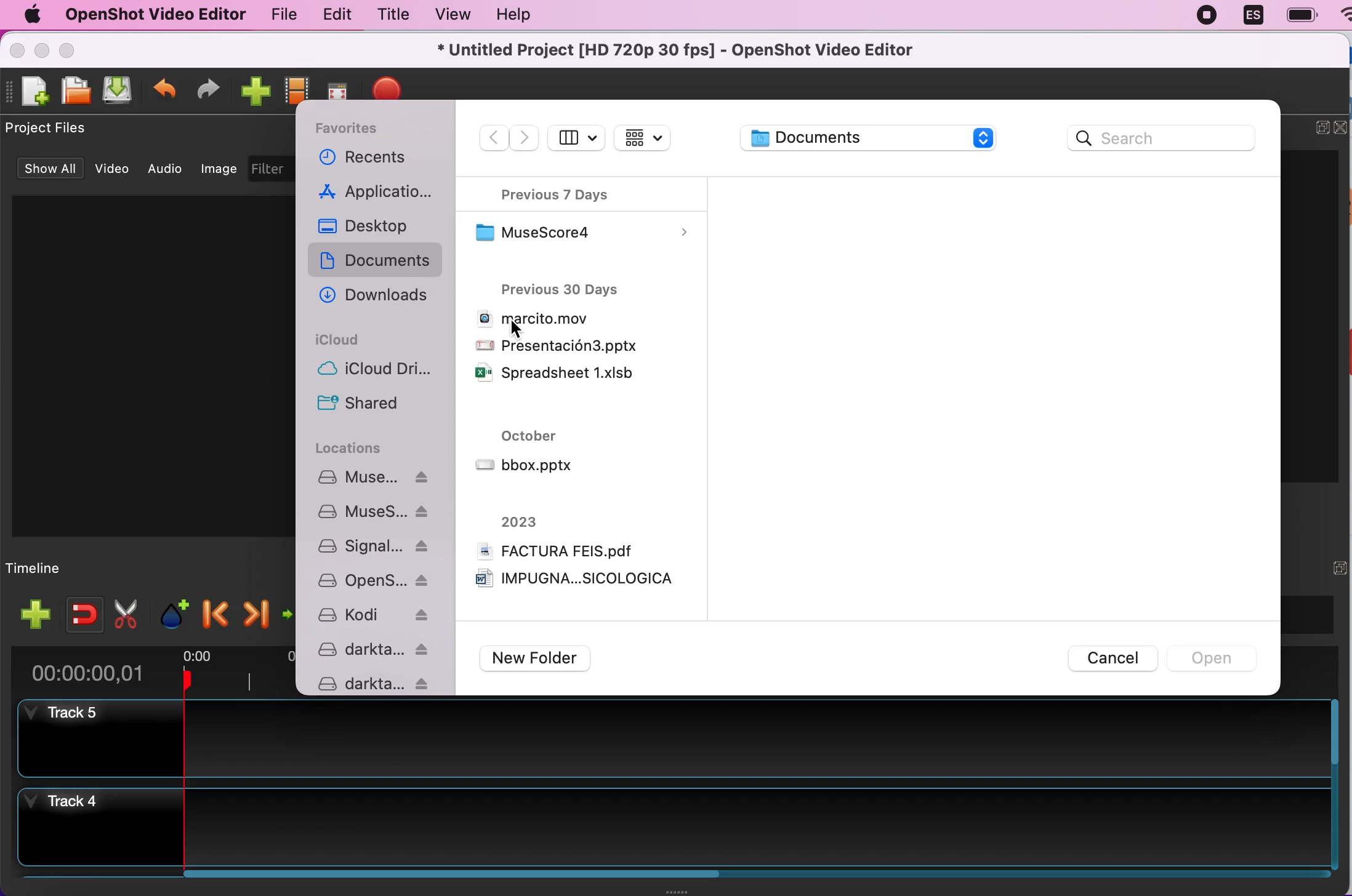 The width and height of the screenshot is (1352, 896). Describe the element at coordinates (217, 169) in the screenshot. I see `image` at that location.